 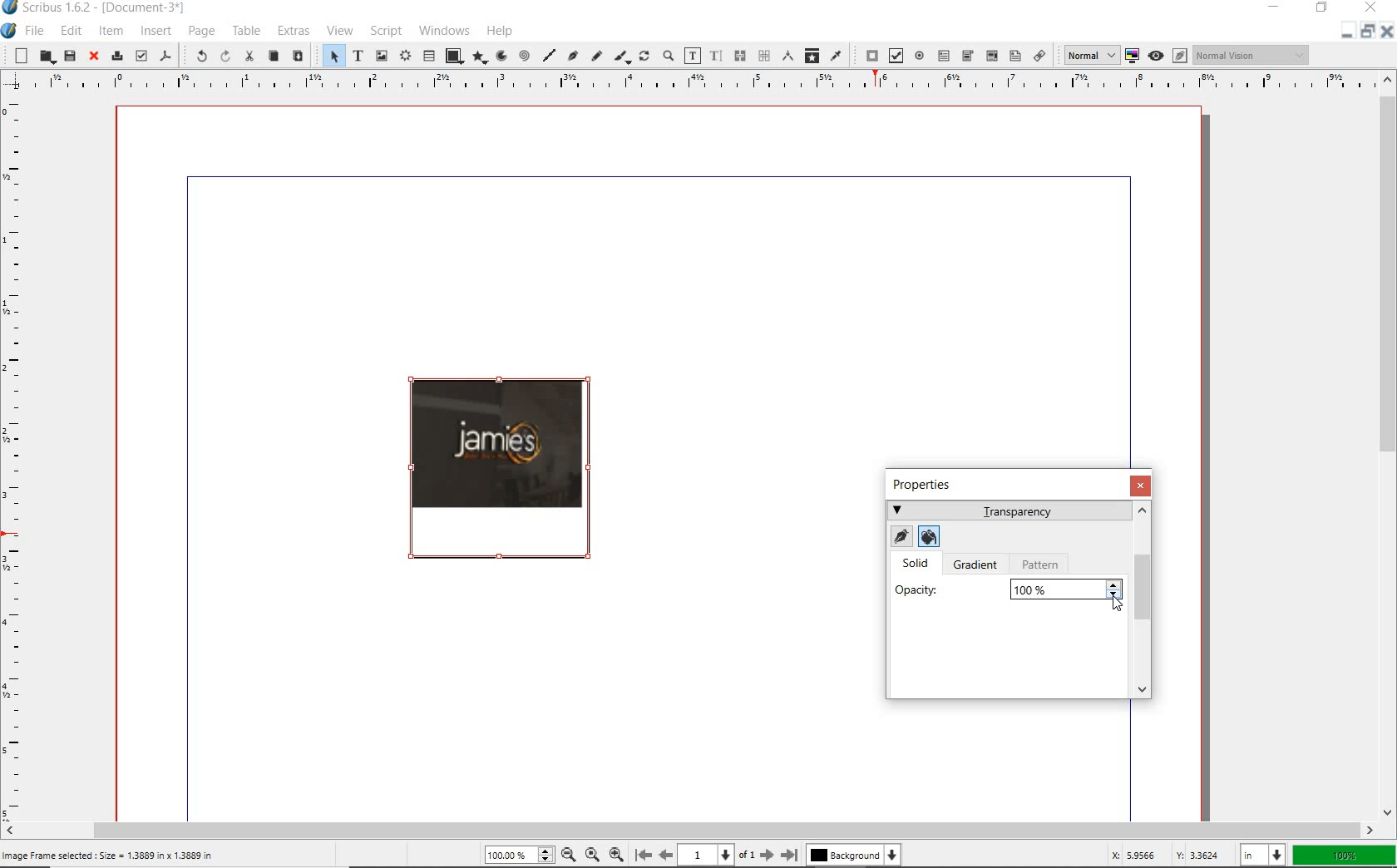 What do you see at coordinates (867, 55) in the screenshot?
I see `pdf push button` at bounding box center [867, 55].